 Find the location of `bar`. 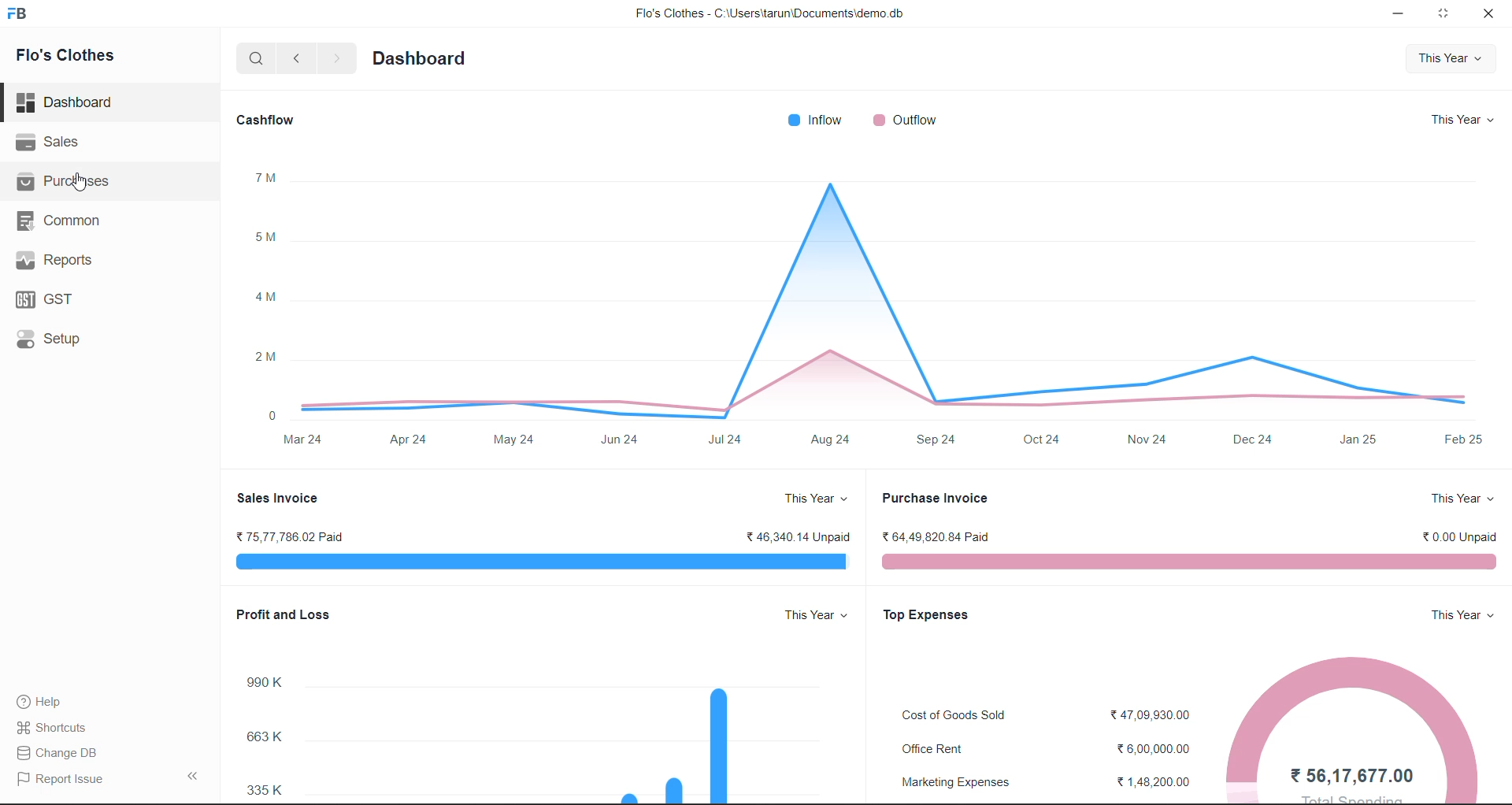

bar is located at coordinates (1190, 559).